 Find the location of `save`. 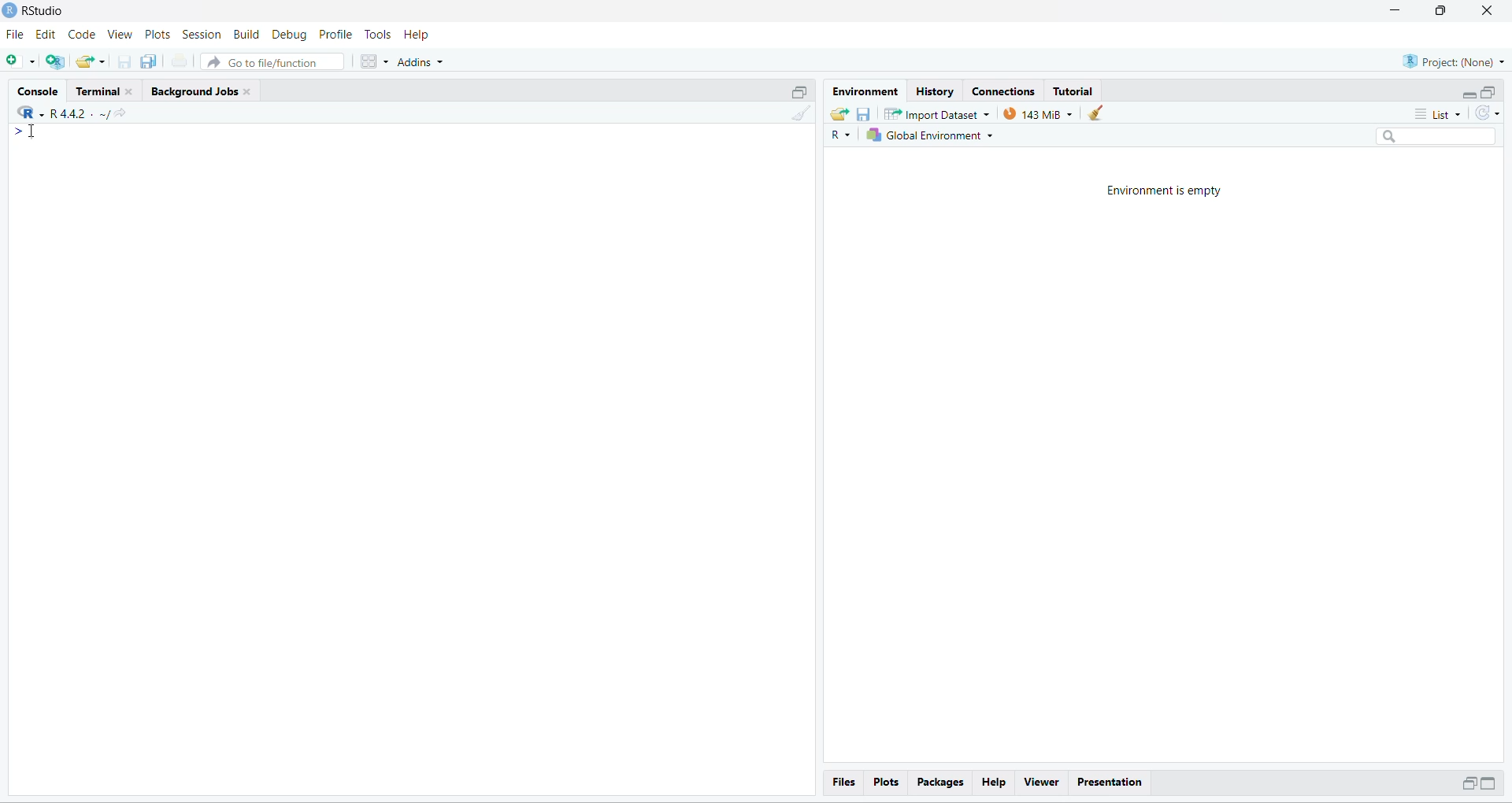

save is located at coordinates (126, 61).